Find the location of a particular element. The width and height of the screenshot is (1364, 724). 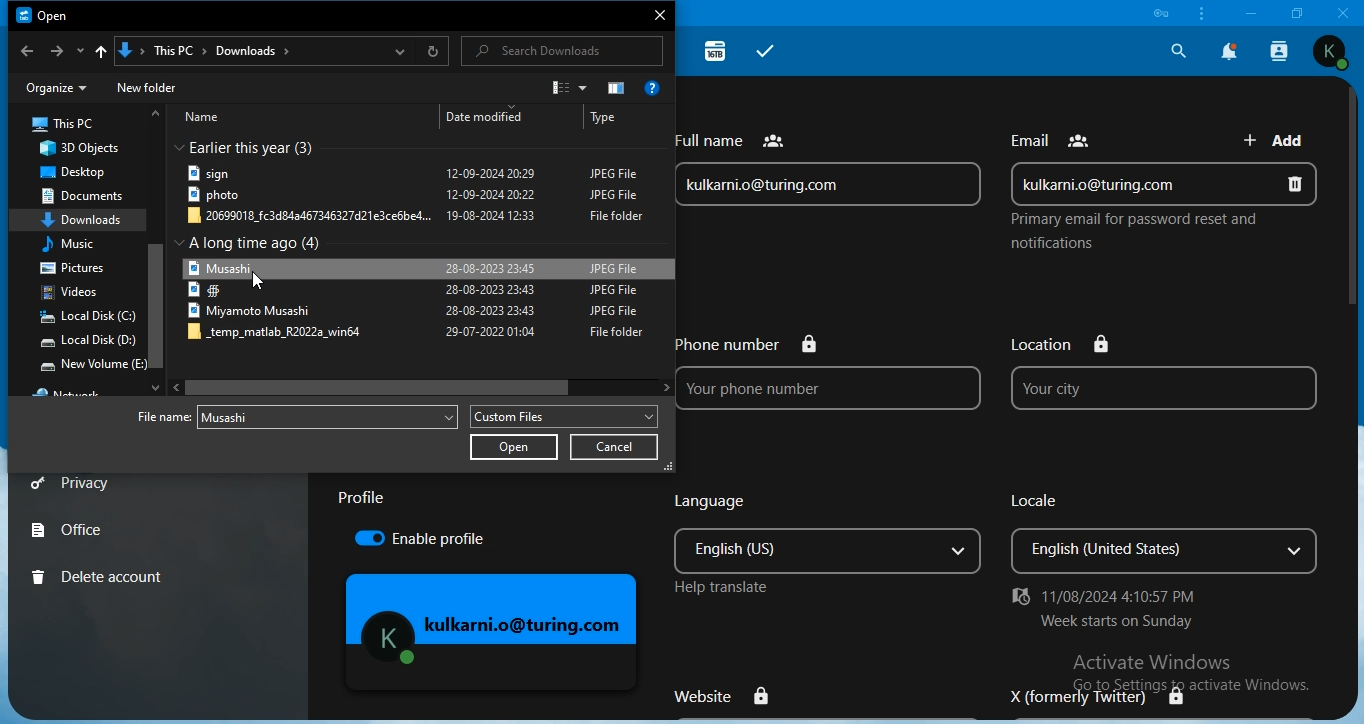

X is located at coordinates (1109, 694).